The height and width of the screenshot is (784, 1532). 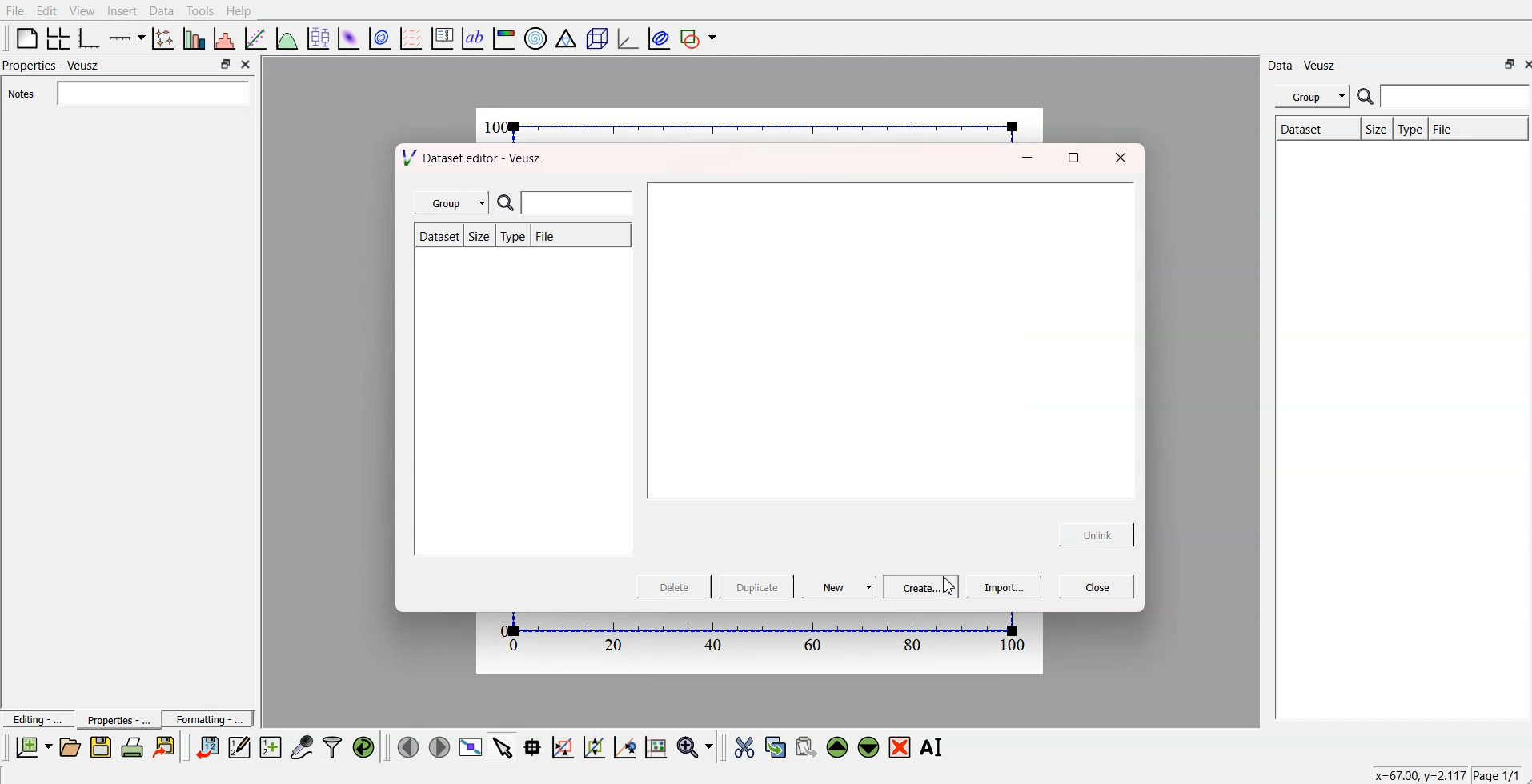 What do you see at coordinates (287, 38) in the screenshot?
I see `plot a function` at bounding box center [287, 38].